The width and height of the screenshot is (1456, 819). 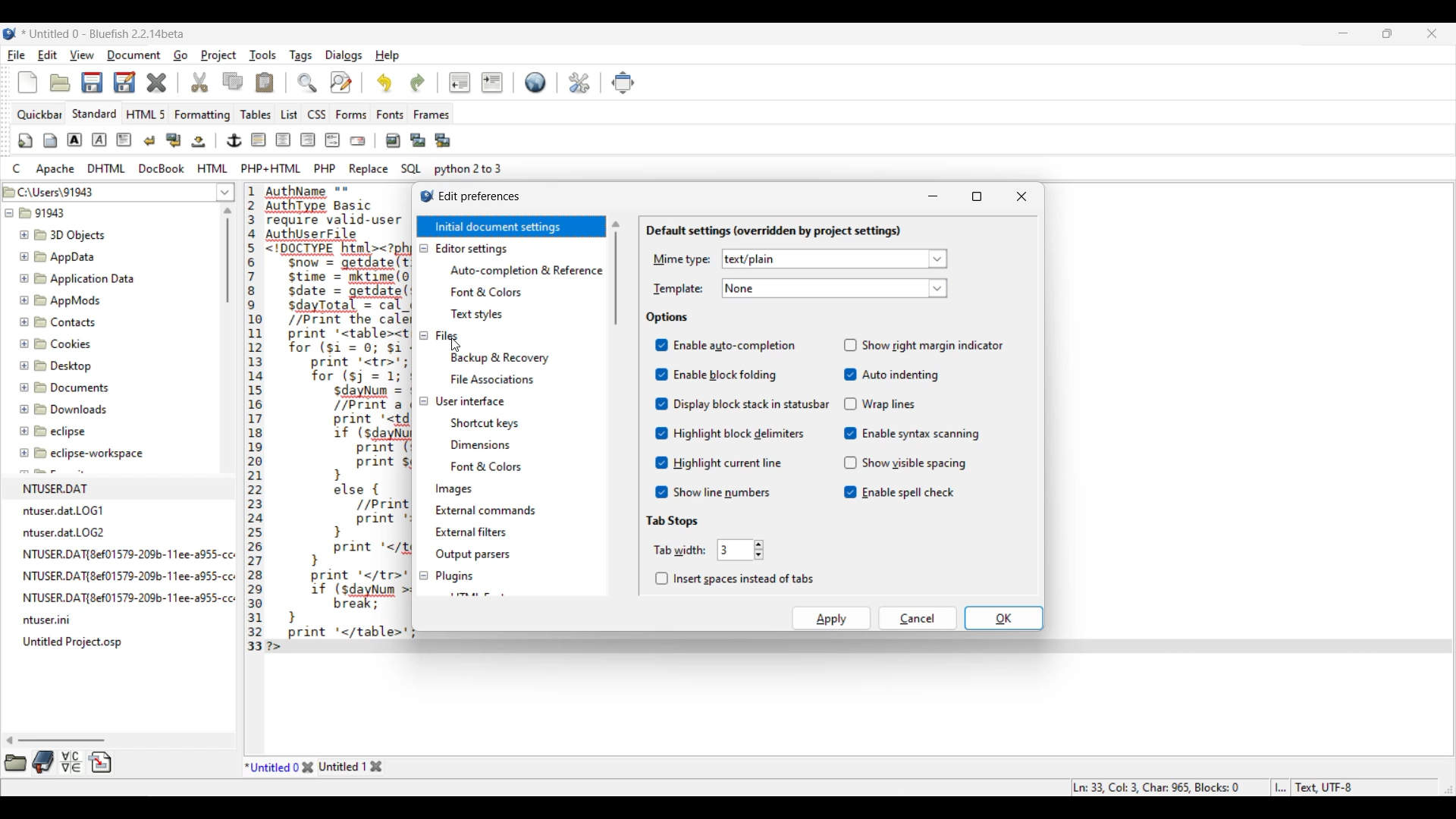 What do you see at coordinates (233, 81) in the screenshot?
I see `Copy` at bounding box center [233, 81].